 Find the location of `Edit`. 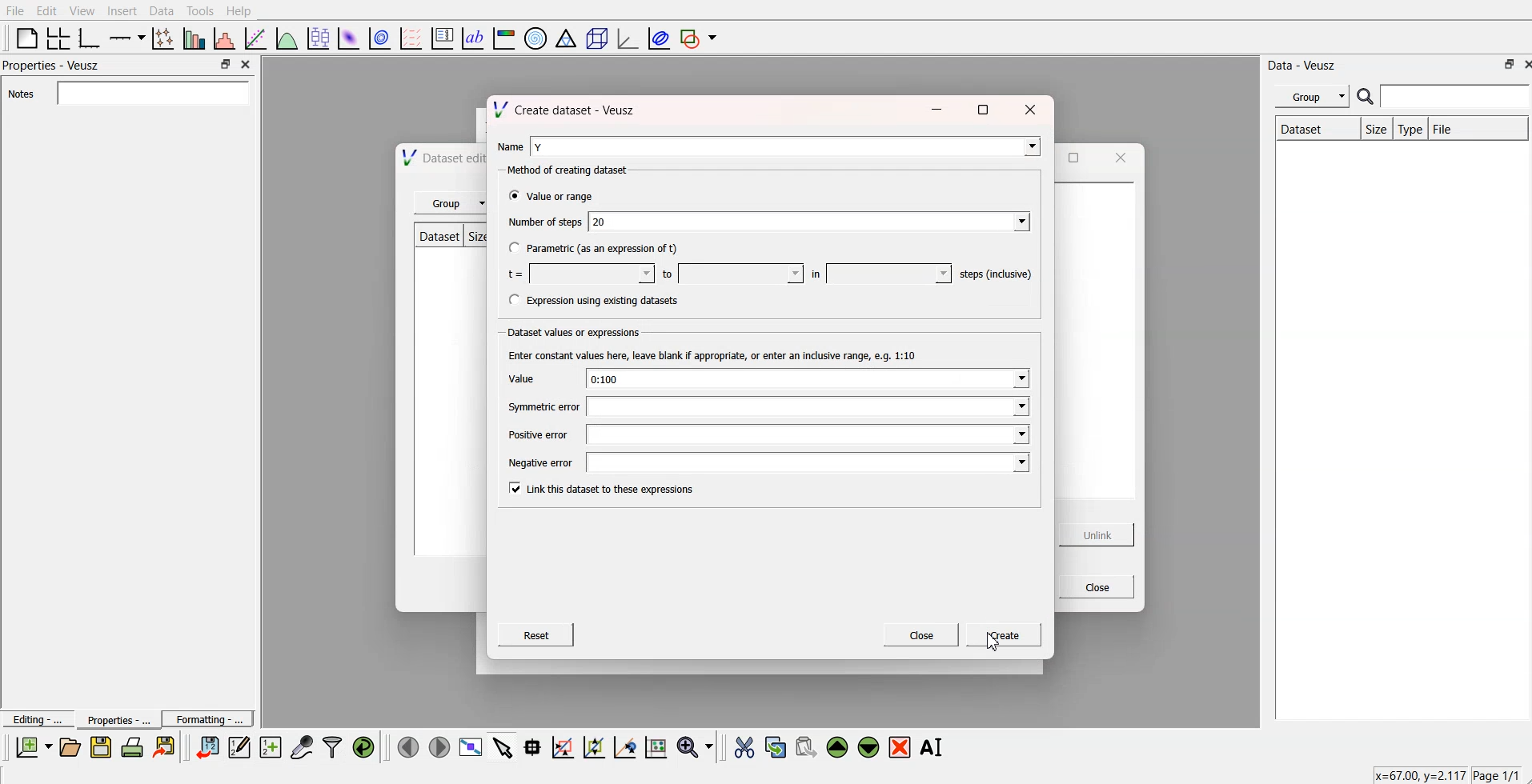

Edit is located at coordinates (47, 10).